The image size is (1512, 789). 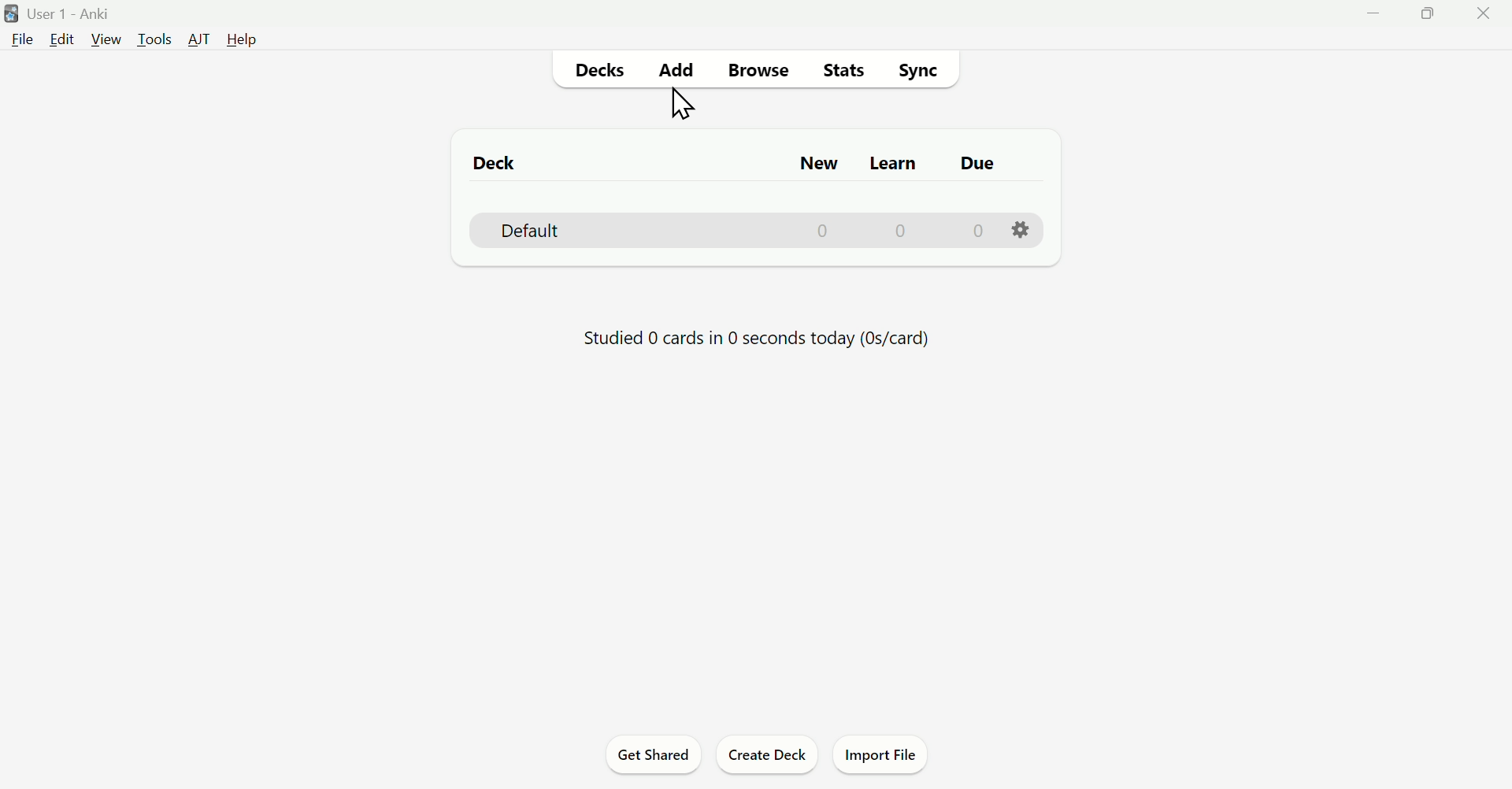 What do you see at coordinates (814, 164) in the screenshot?
I see `New` at bounding box center [814, 164].